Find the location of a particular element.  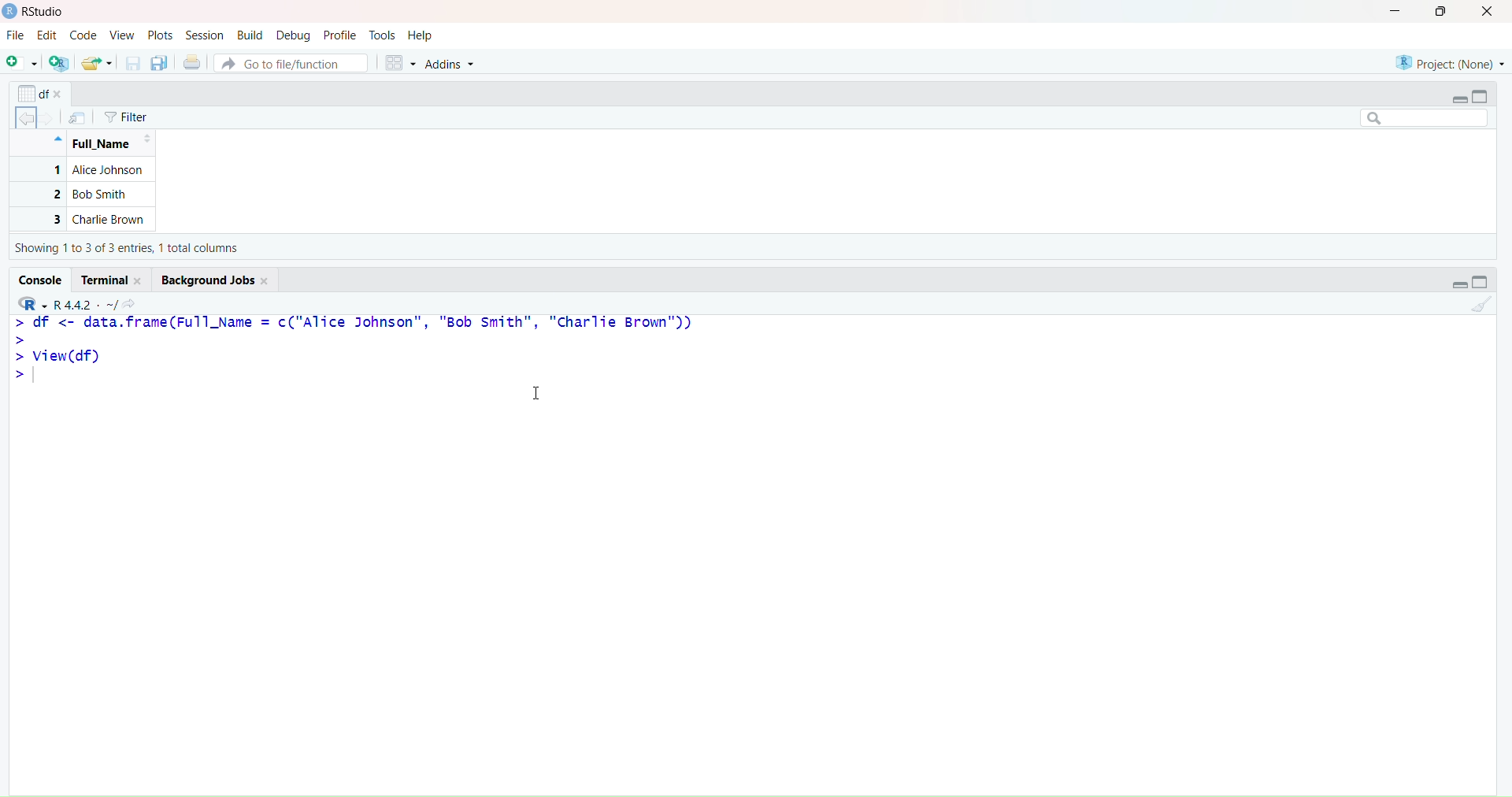

Minimize is located at coordinates (1396, 14).